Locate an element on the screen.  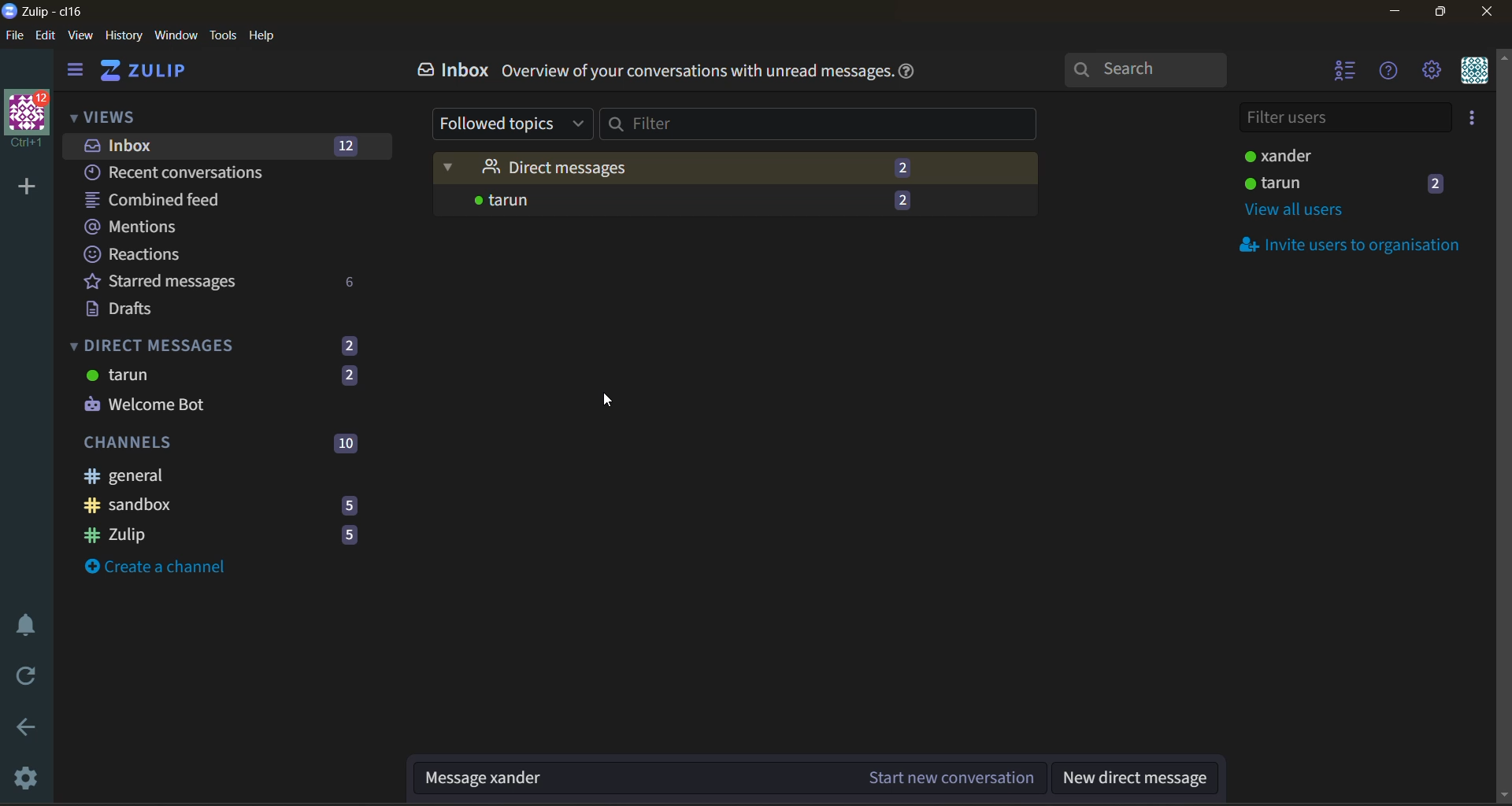
search is located at coordinates (1146, 67).